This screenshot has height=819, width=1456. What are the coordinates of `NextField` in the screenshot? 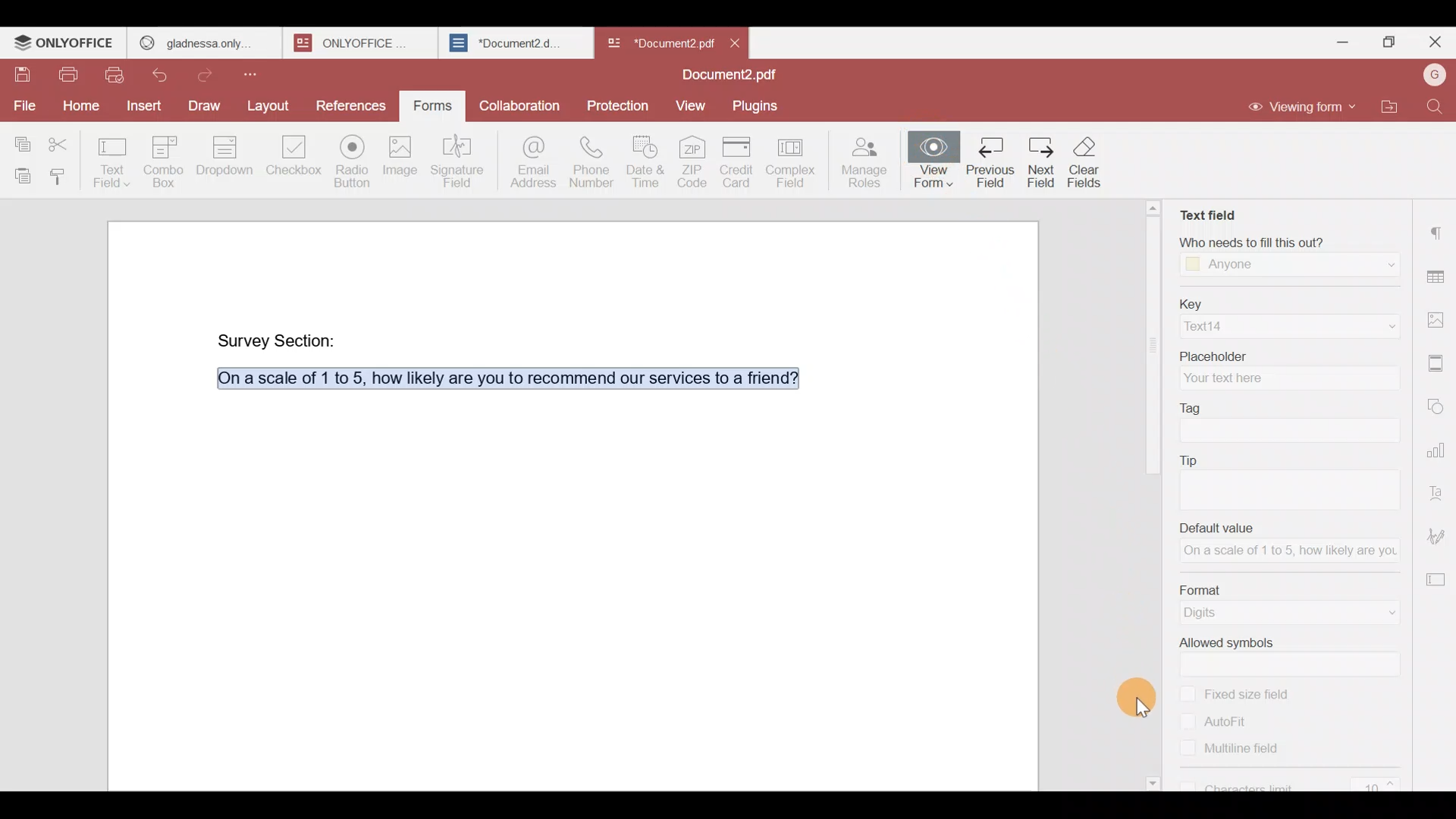 It's located at (1038, 164).